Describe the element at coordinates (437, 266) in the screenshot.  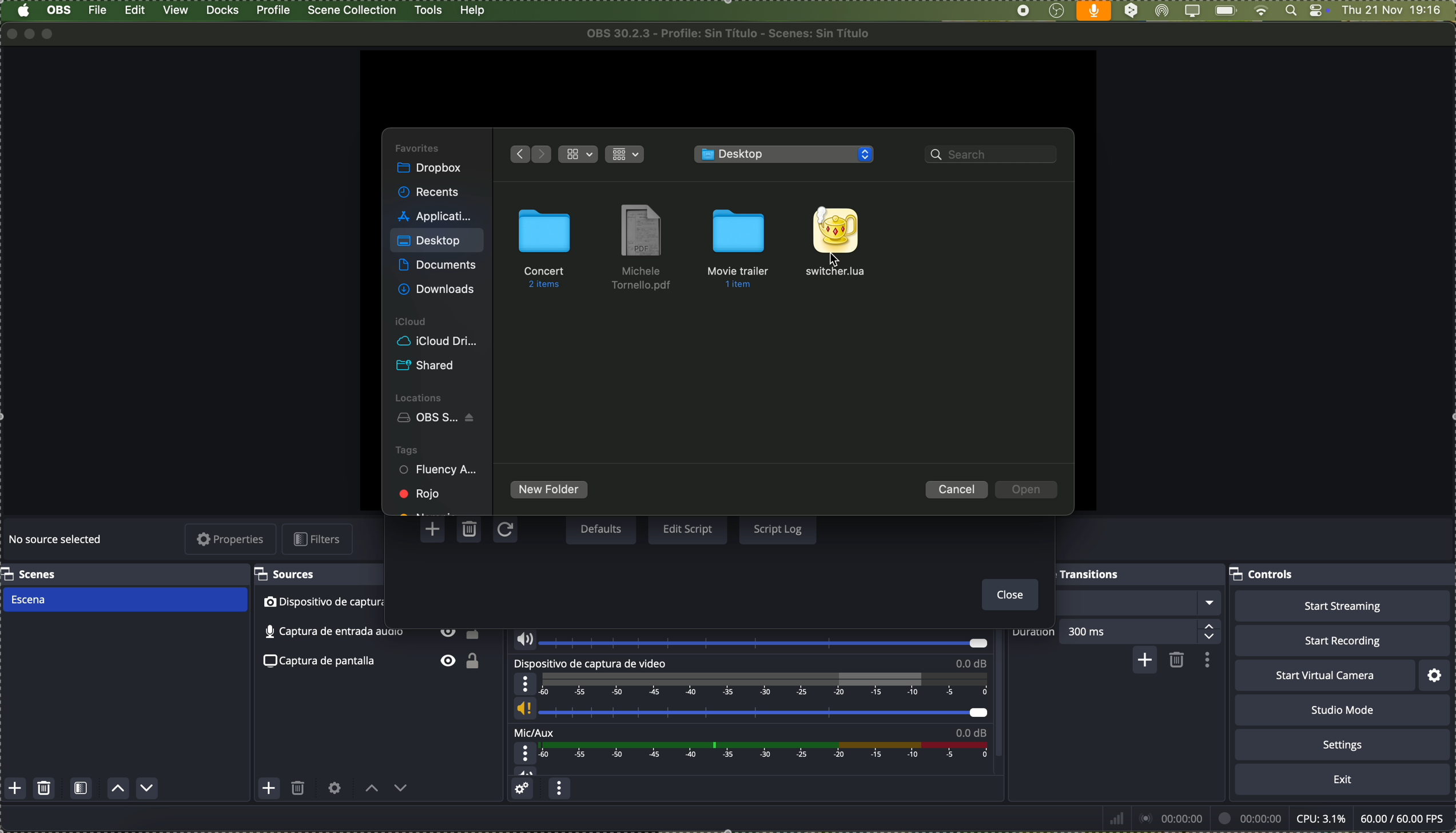
I see `documents` at that location.